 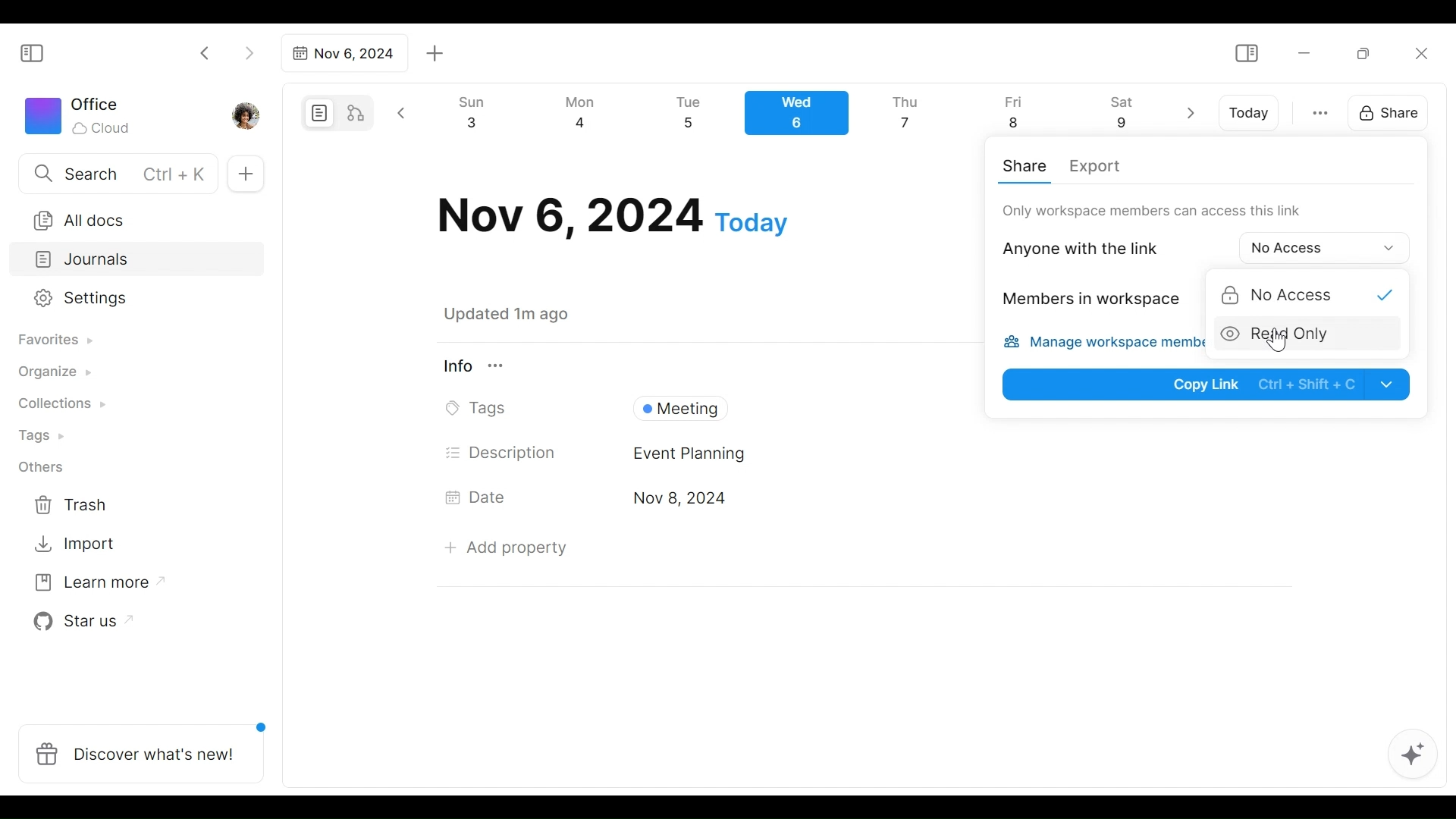 What do you see at coordinates (700, 366) in the screenshot?
I see `View Information` at bounding box center [700, 366].